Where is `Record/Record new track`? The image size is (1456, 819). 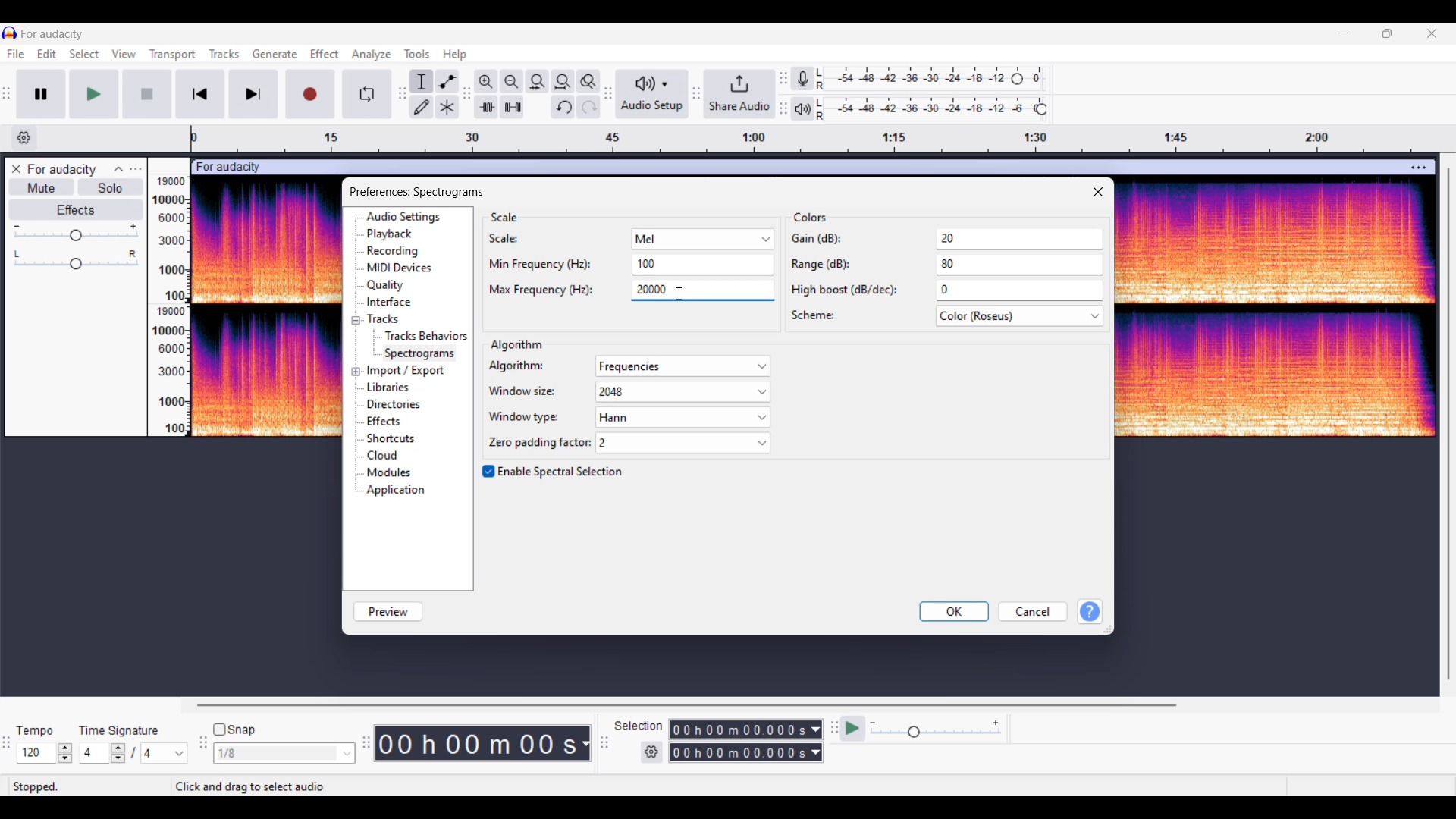
Record/Record new track is located at coordinates (311, 94).